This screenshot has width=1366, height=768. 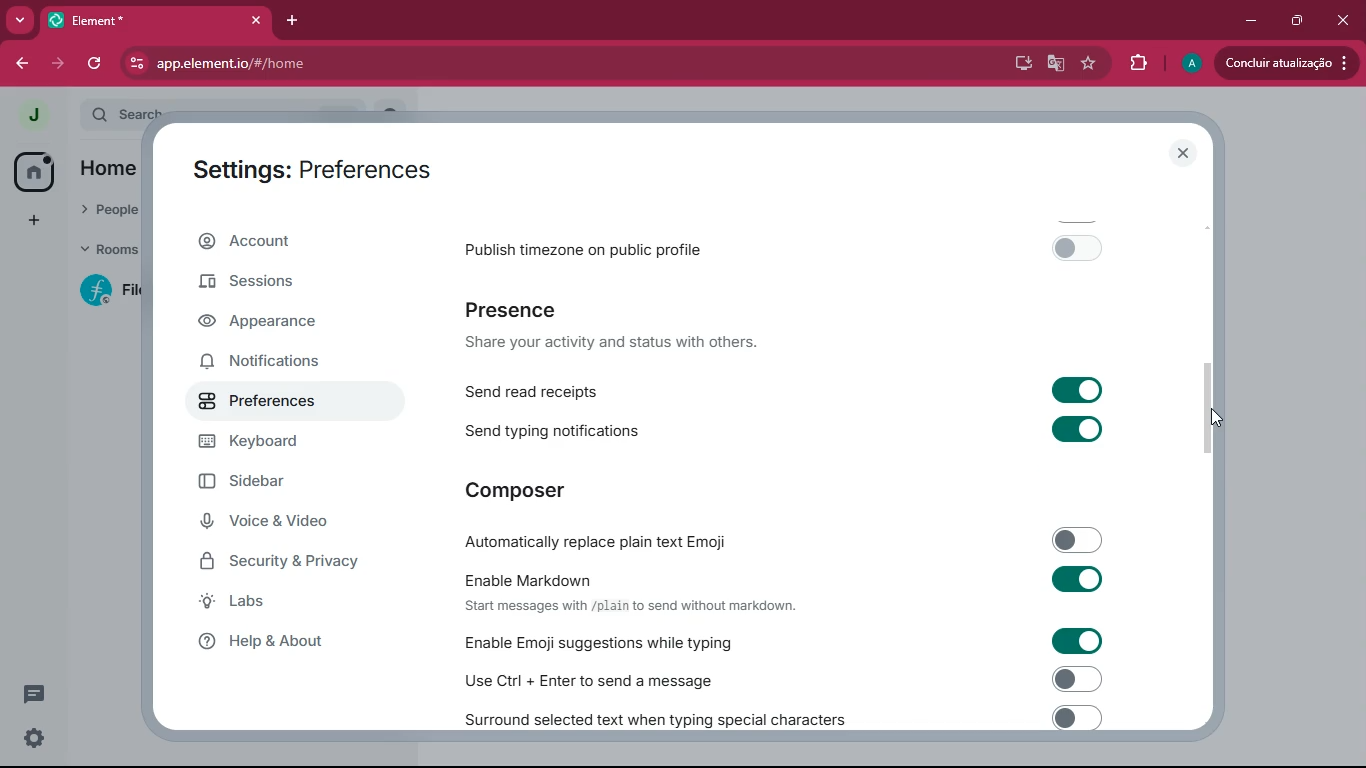 I want to click on close, so click(x=1341, y=20).